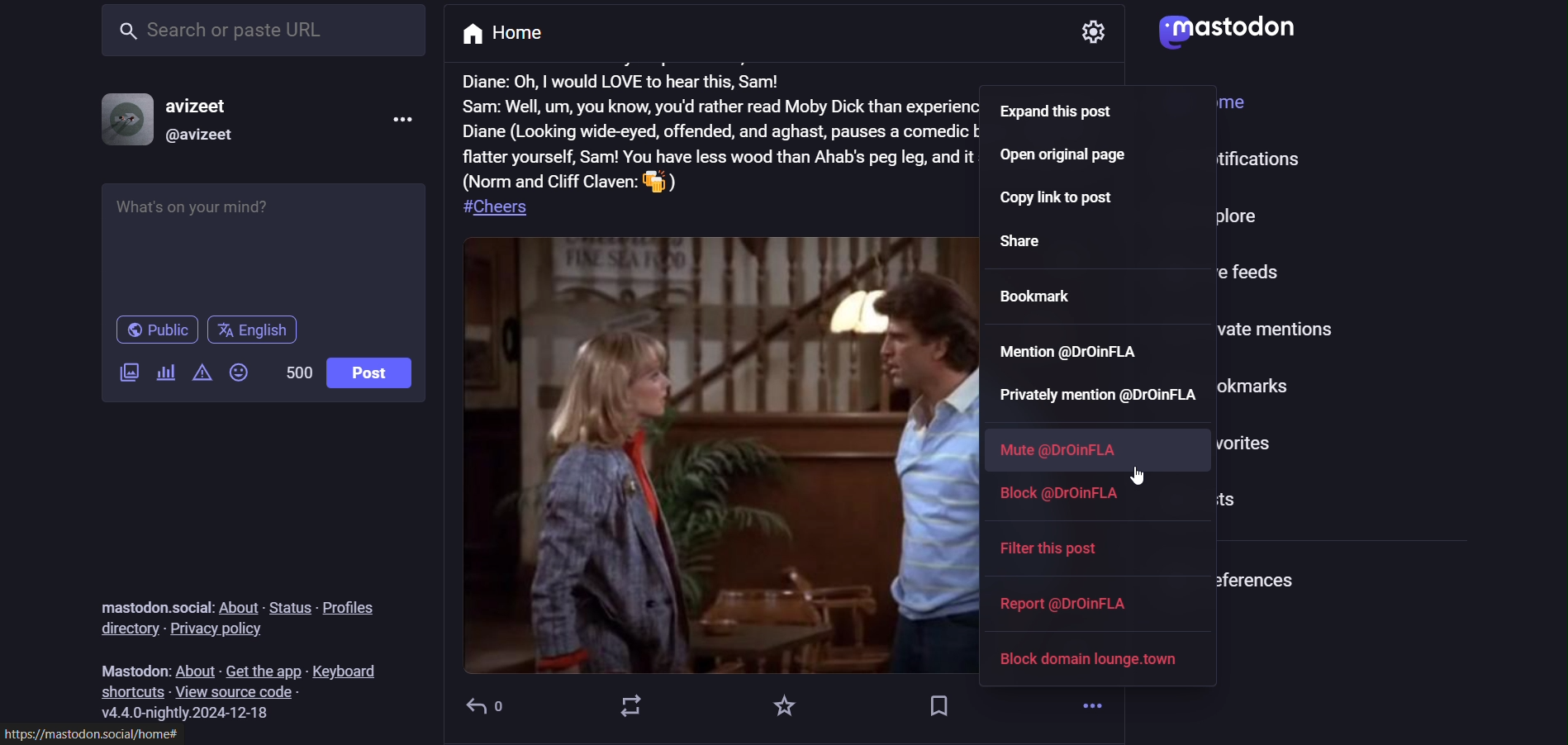  I want to click on directory, so click(126, 631).